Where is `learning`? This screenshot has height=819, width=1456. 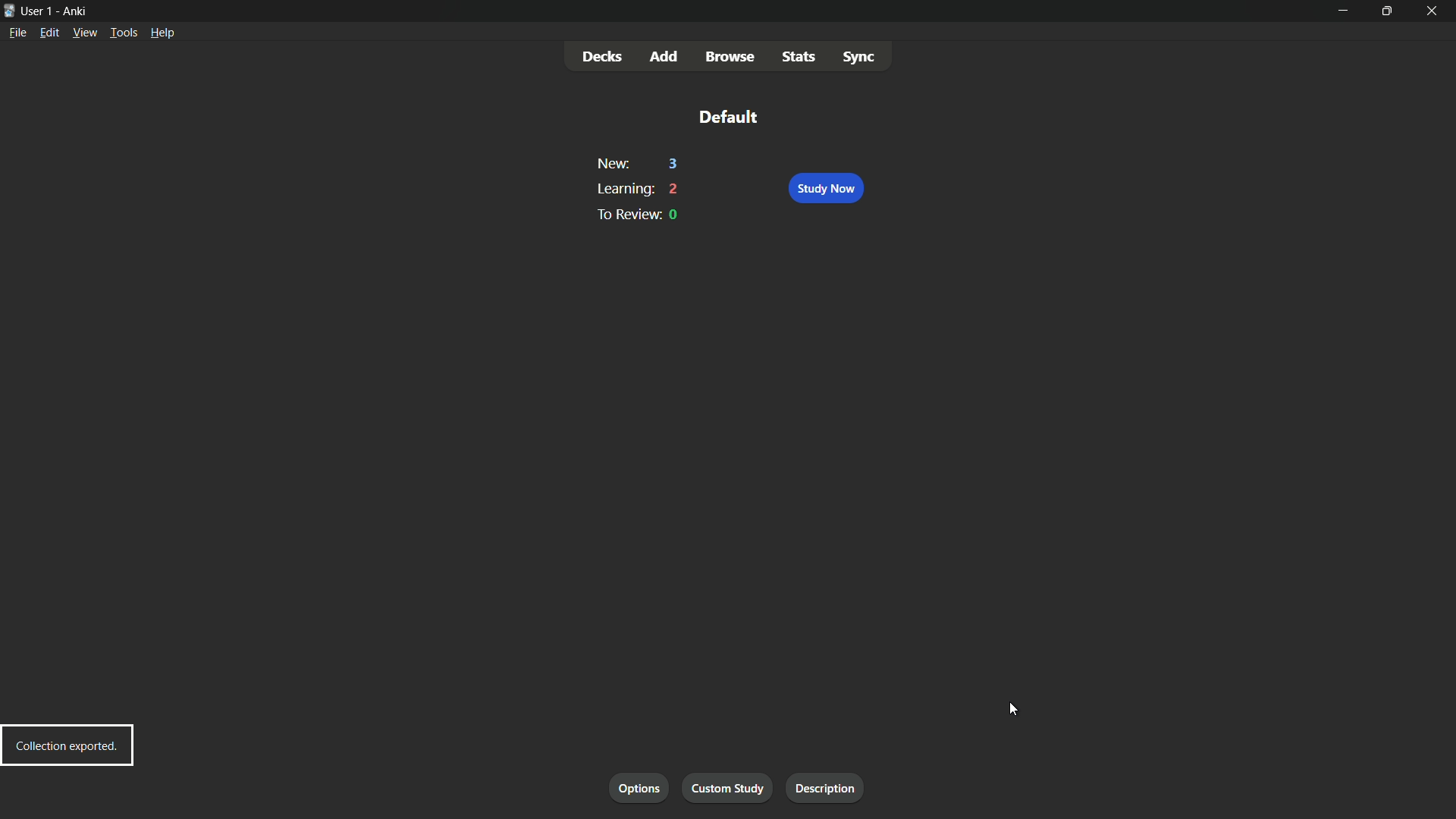
learning is located at coordinates (623, 189).